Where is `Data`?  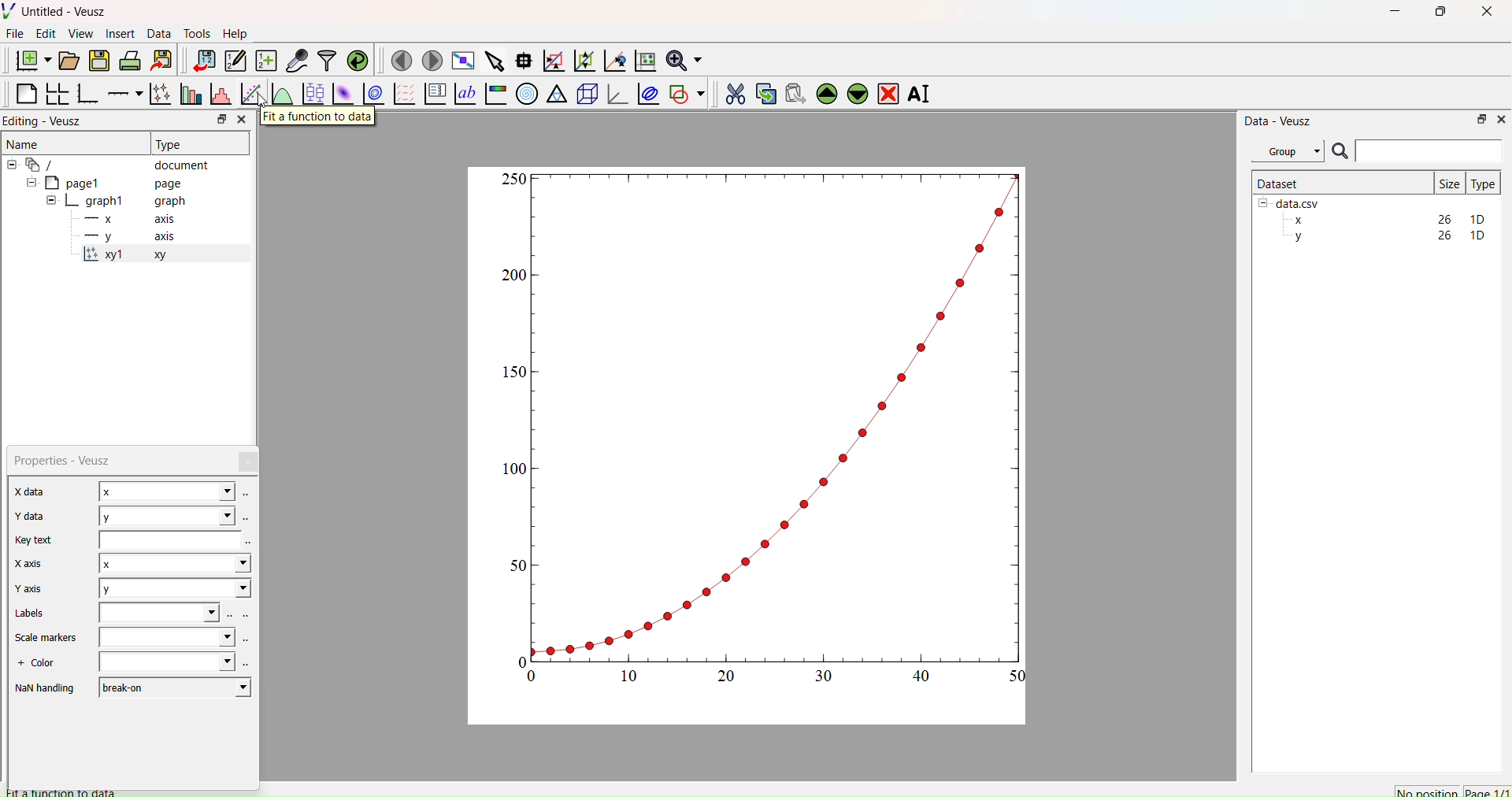 Data is located at coordinates (158, 34).